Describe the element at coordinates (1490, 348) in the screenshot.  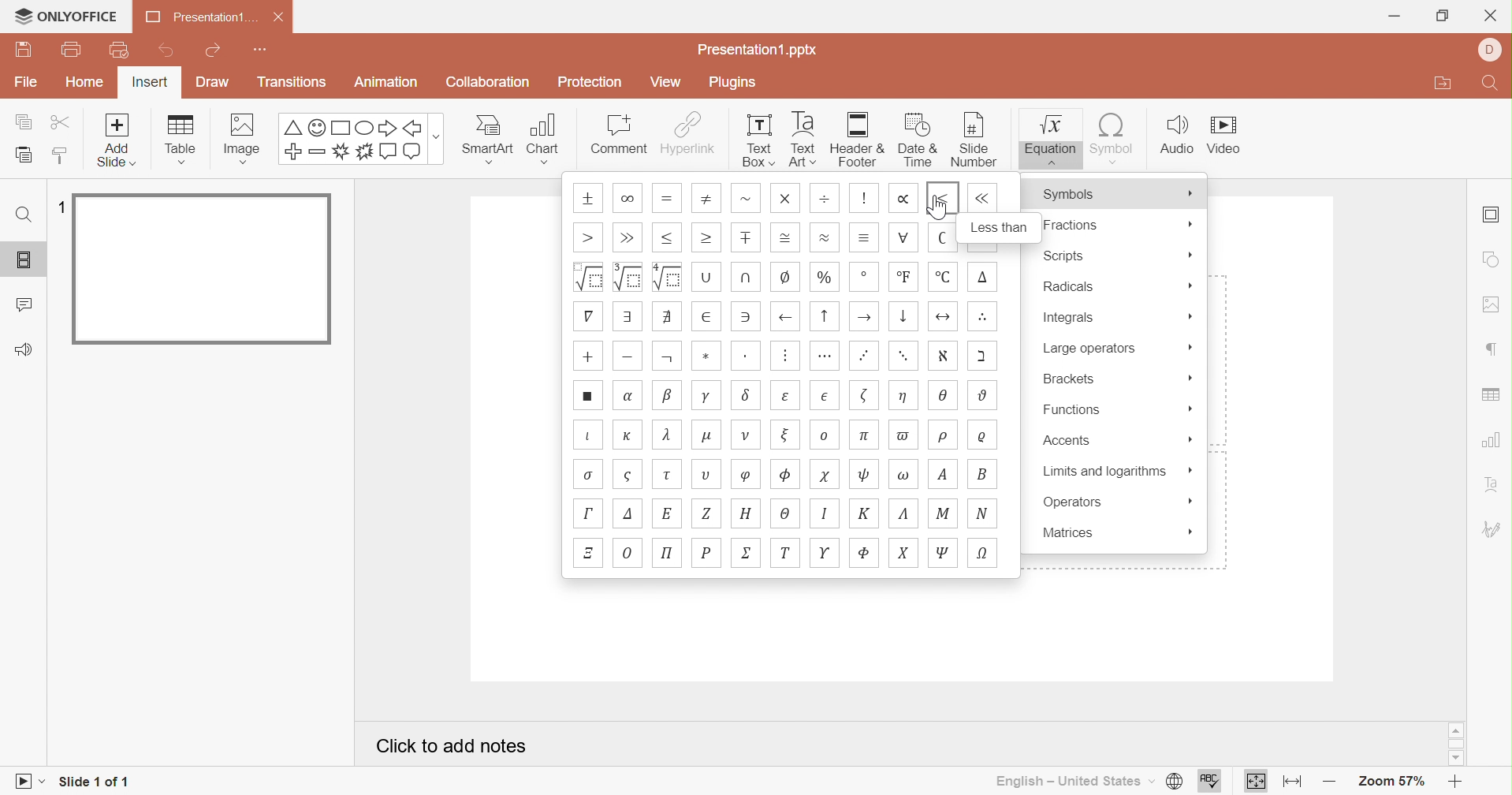
I see `paragraph settings` at that location.